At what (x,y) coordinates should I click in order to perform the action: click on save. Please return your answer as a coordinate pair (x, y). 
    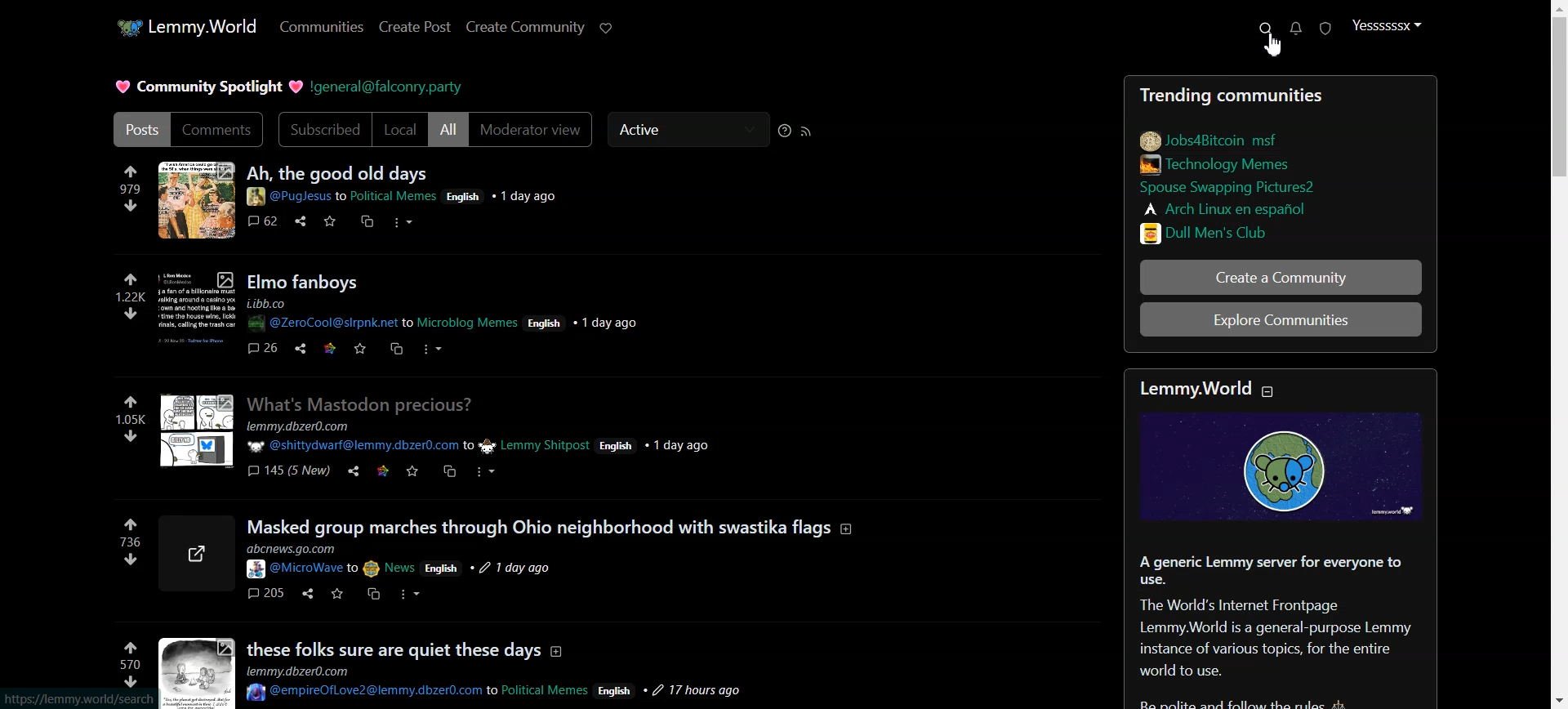
    Looking at the image, I should click on (331, 220).